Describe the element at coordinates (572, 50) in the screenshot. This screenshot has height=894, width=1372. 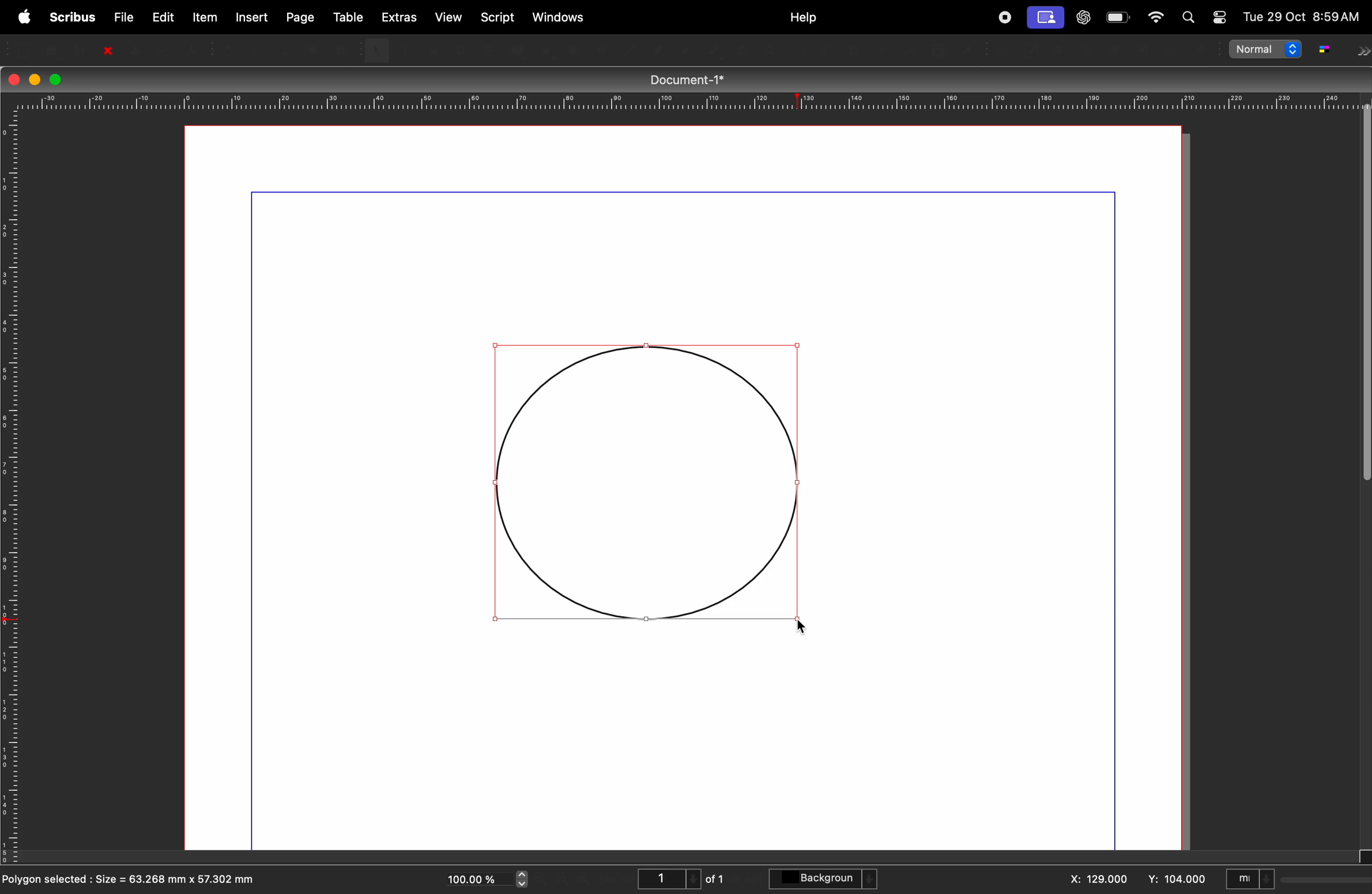
I see `Arc` at that location.